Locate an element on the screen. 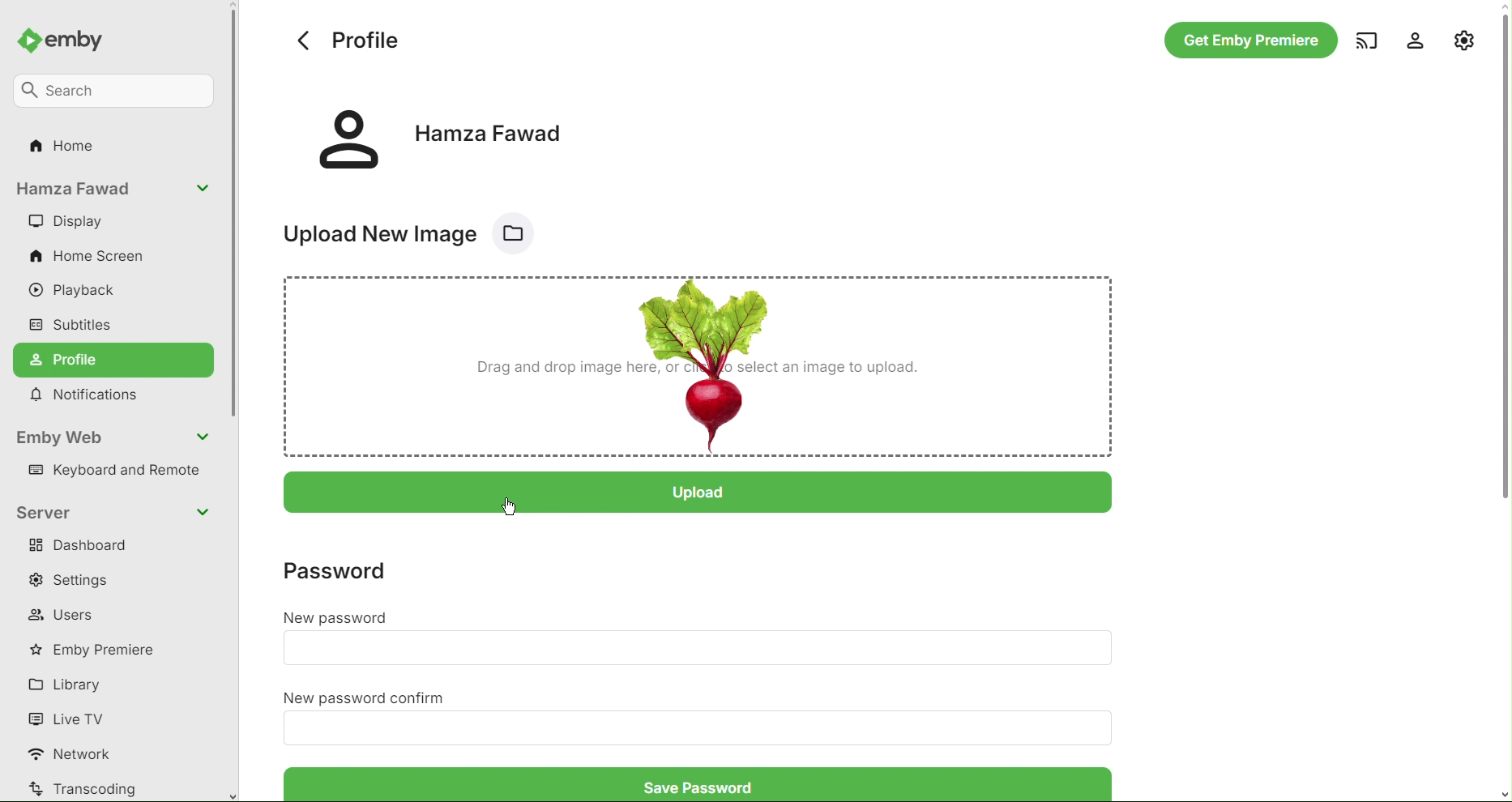 Image resolution: width=1512 pixels, height=802 pixels. Get Emby Premiere is located at coordinates (1248, 41).